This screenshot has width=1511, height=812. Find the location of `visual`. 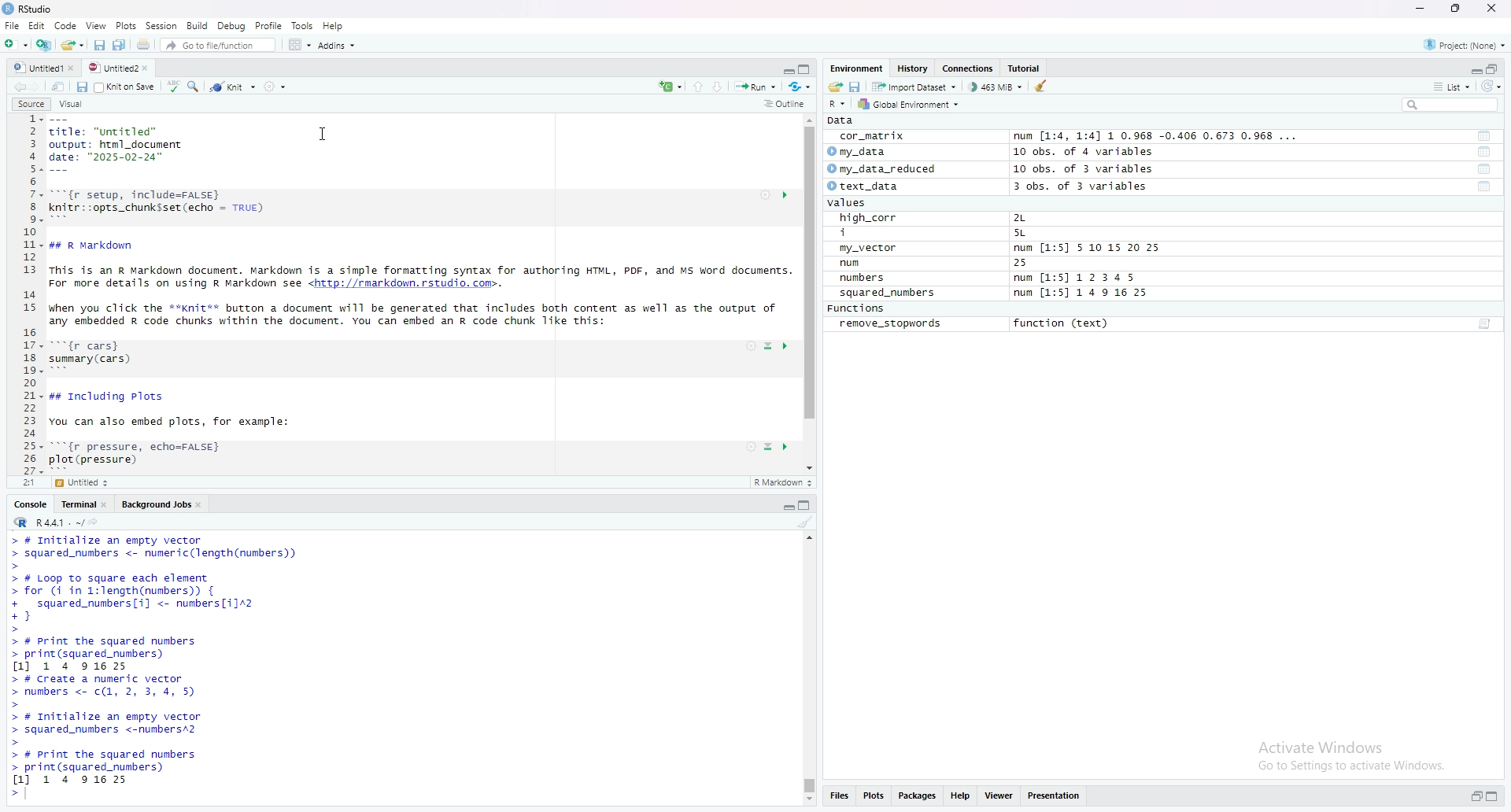

visual is located at coordinates (71, 104).